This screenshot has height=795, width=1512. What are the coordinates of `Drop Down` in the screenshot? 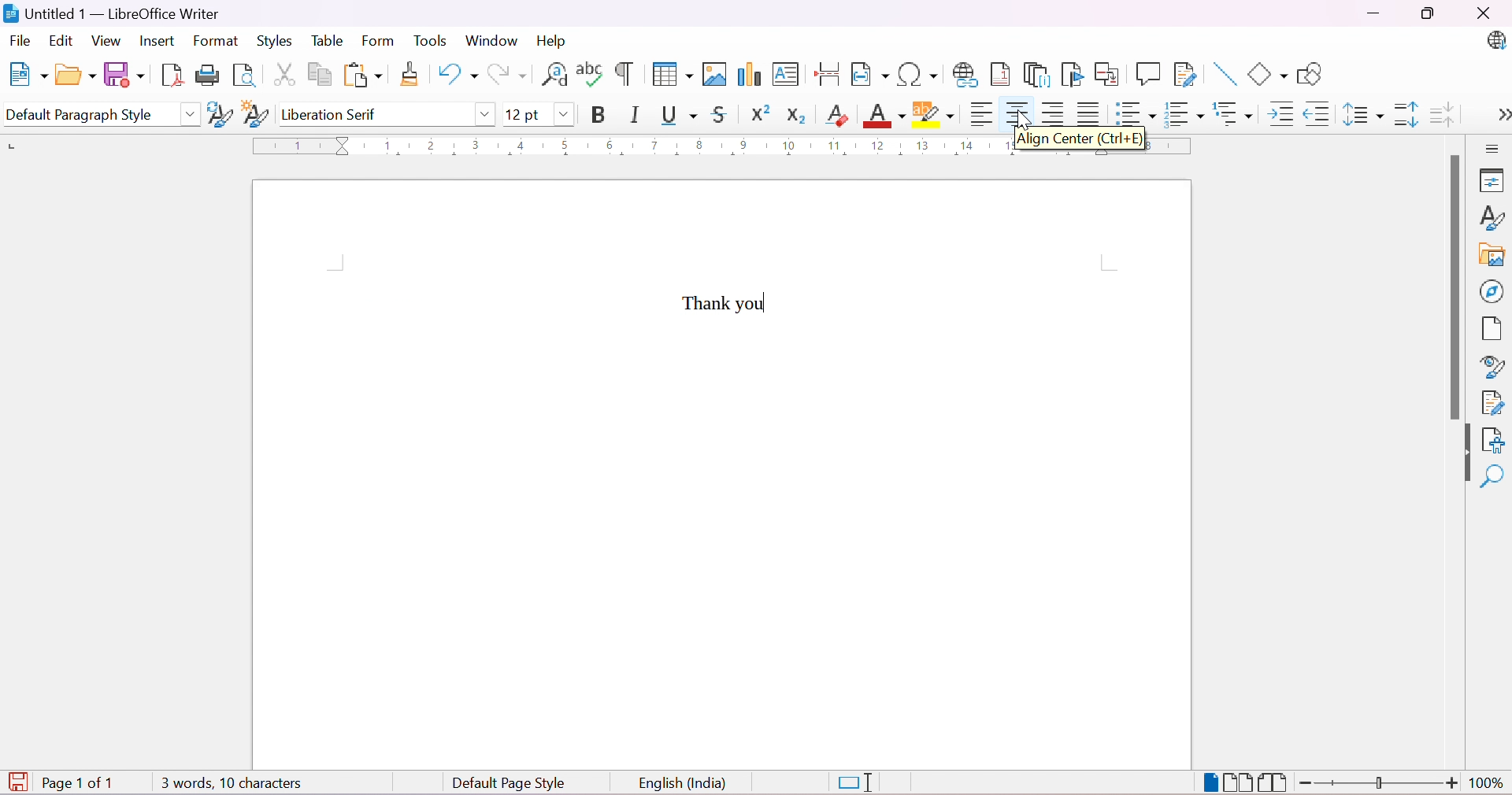 It's located at (564, 113).